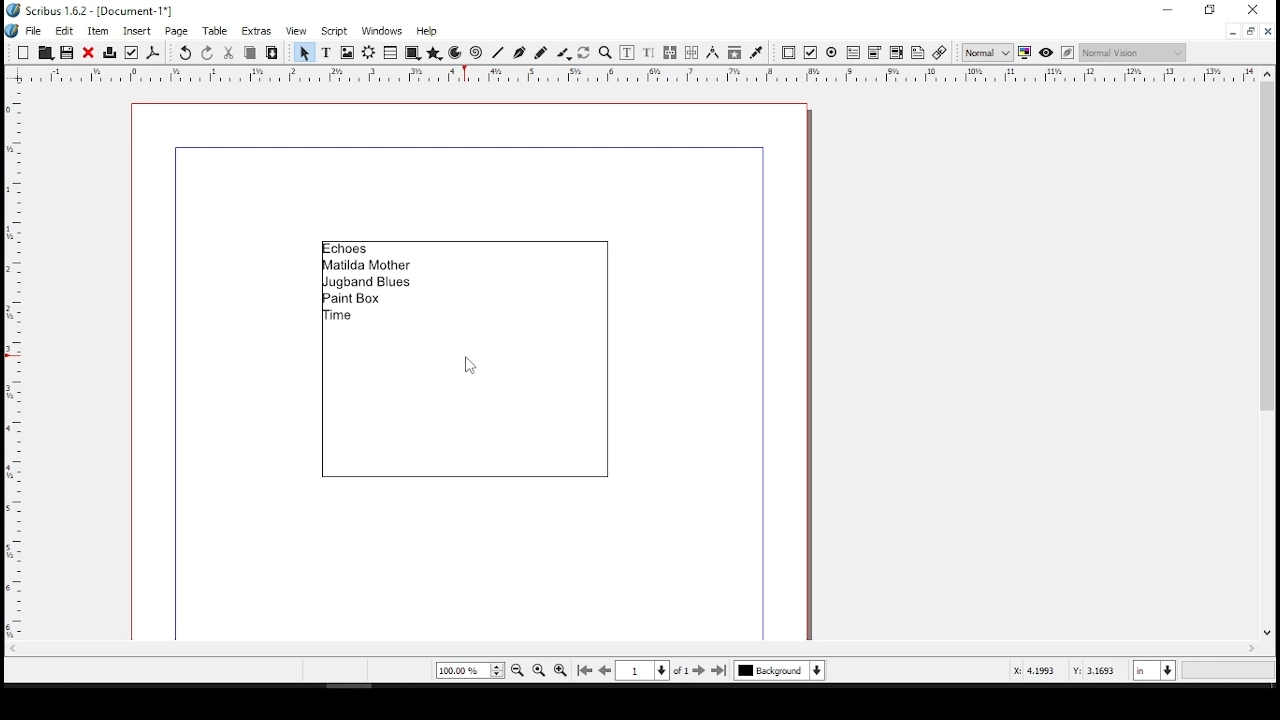  I want to click on table, so click(390, 53).